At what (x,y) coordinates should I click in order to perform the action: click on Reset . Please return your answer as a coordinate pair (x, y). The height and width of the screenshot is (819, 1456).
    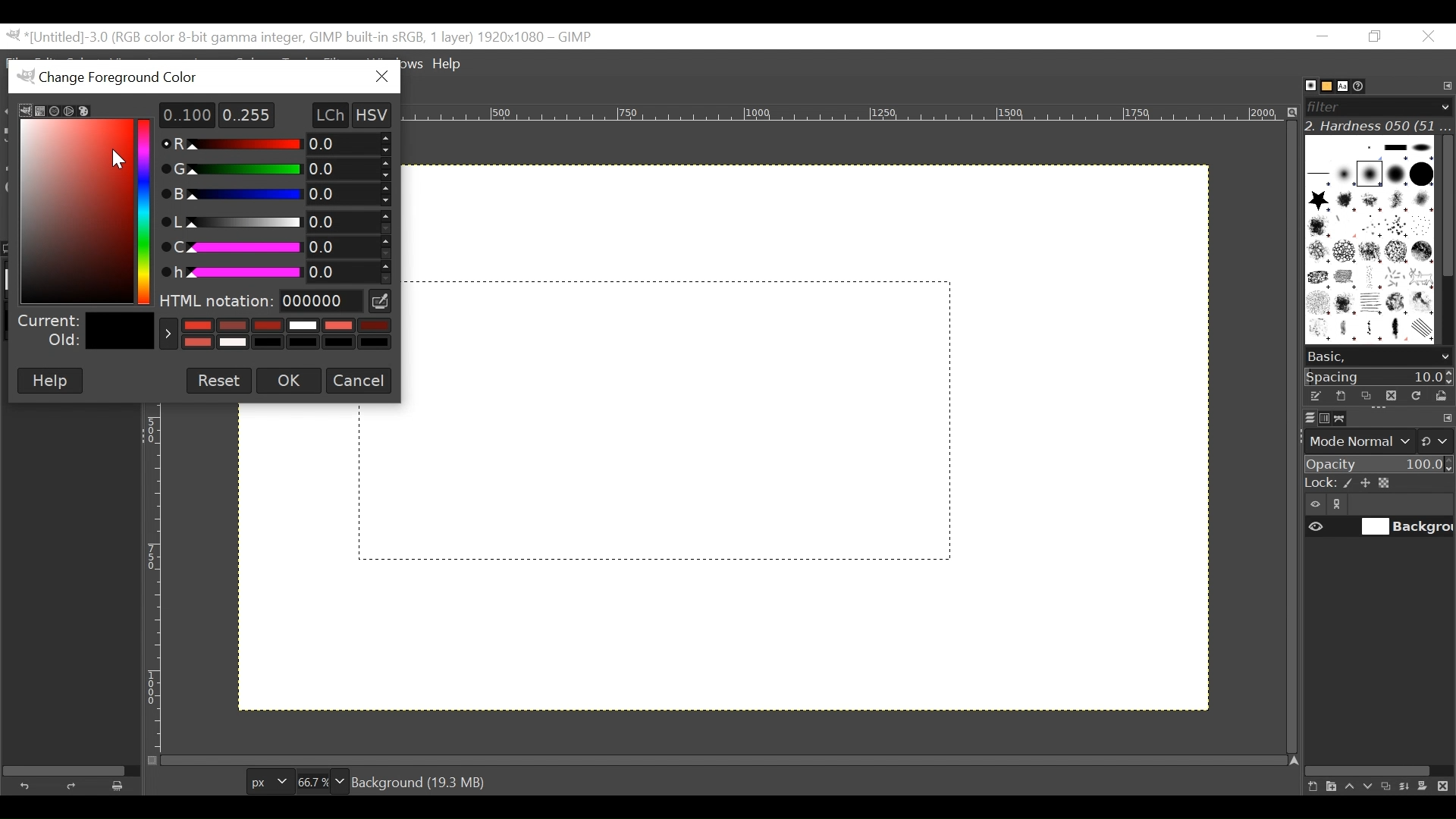
    Looking at the image, I should click on (219, 379).